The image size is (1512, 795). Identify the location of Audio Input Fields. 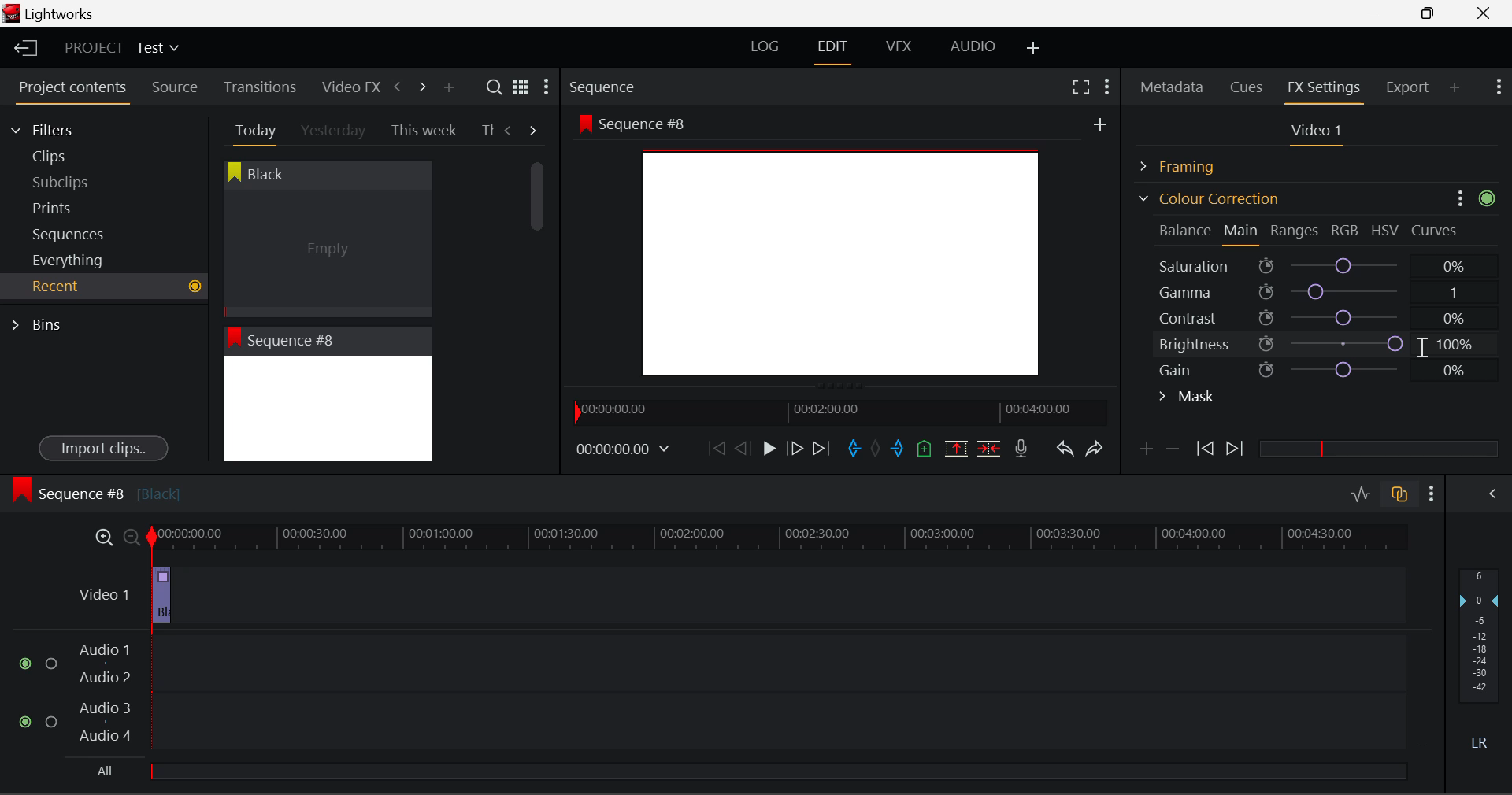
(712, 694).